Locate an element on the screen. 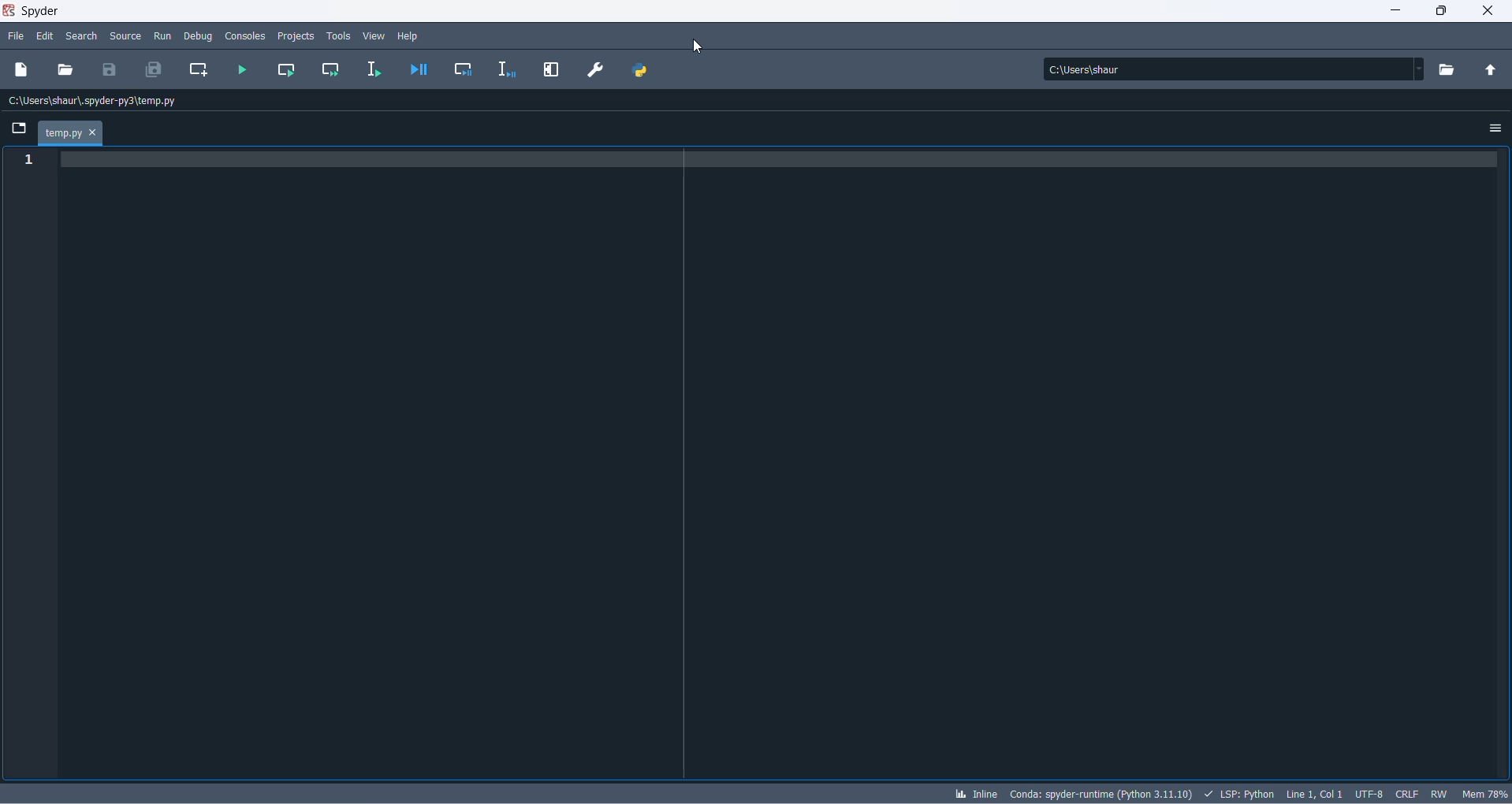 This screenshot has height=804, width=1512. file control is located at coordinates (1443, 793).